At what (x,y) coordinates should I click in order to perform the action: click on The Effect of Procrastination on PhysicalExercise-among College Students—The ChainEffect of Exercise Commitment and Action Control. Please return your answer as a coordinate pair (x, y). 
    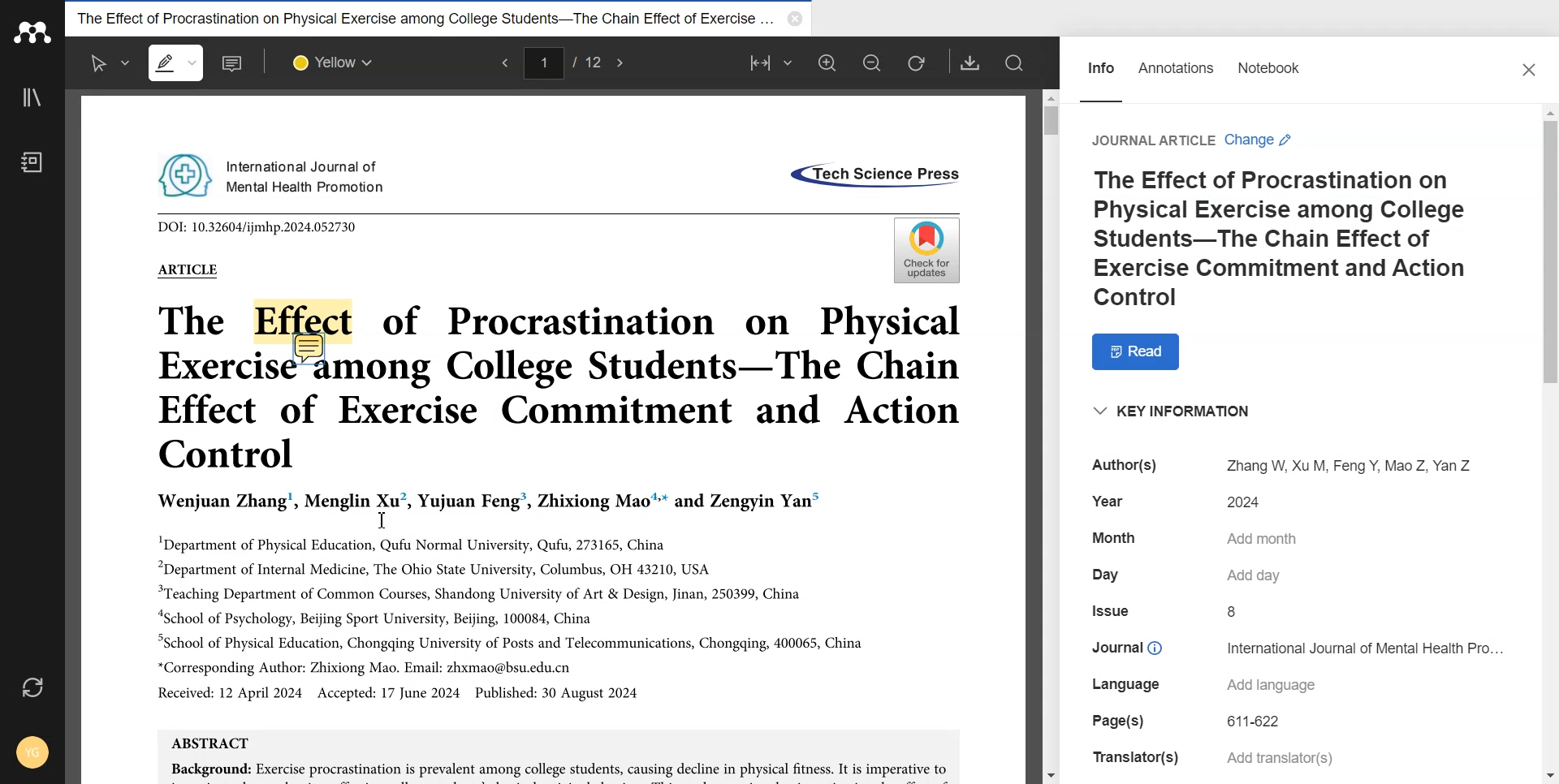
    Looking at the image, I should click on (559, 384).